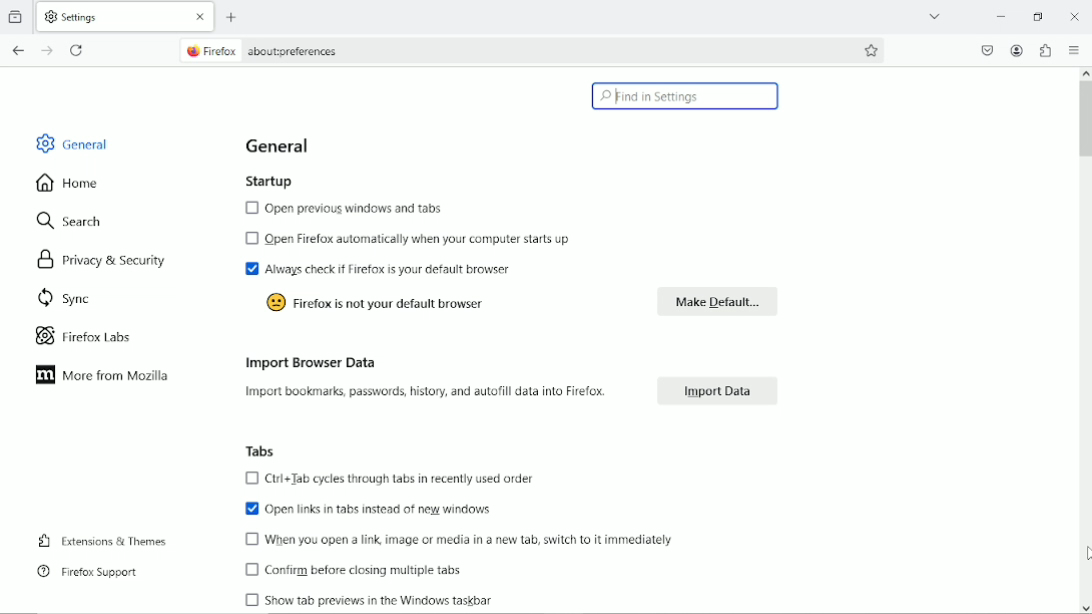 This screenshot has width=1092, height=614. Describe the element at coordinates (380, 304) in the screenshot. I see `Firefox is not your default browser` at that location.